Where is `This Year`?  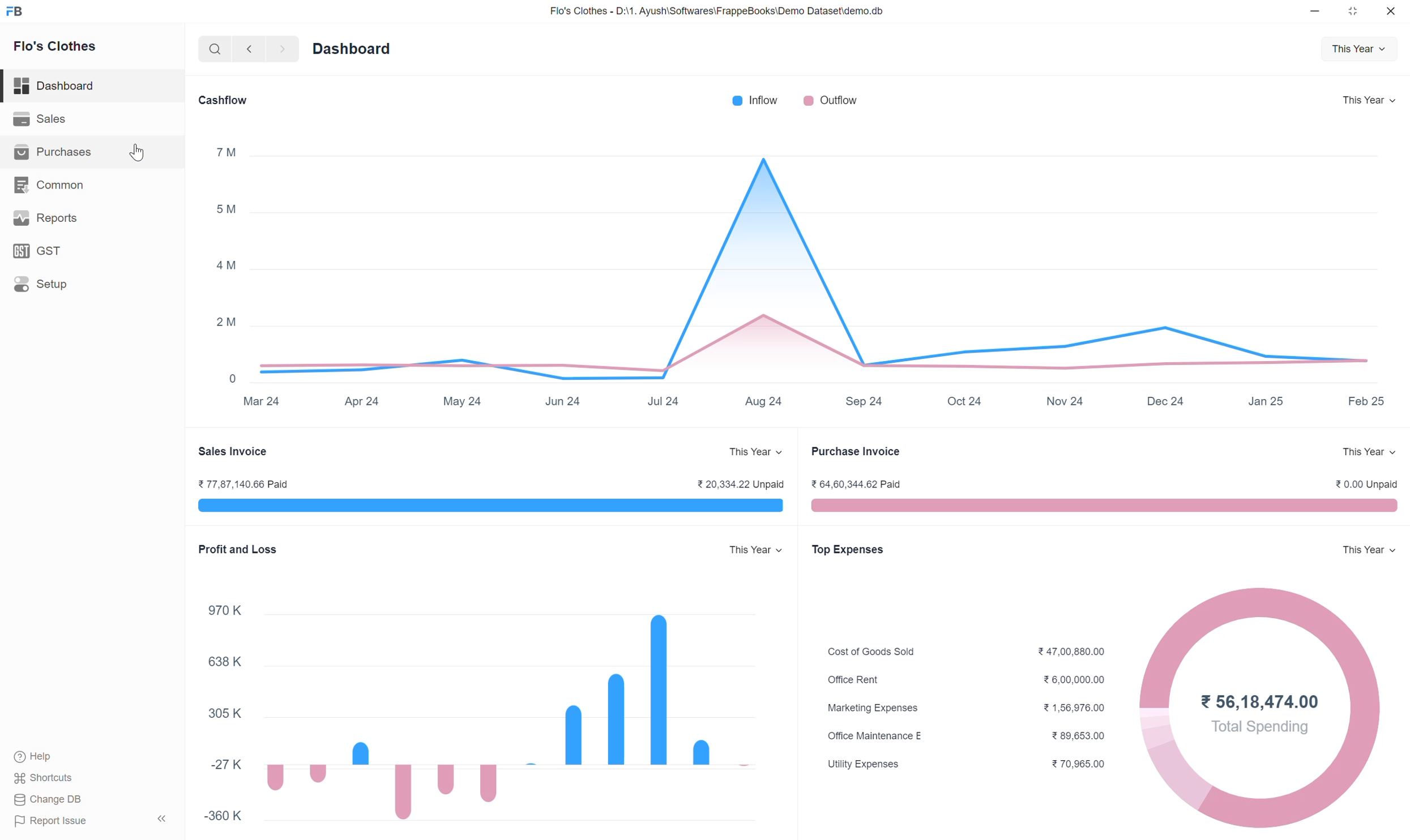
This Year is located at coordinates (1370, 550).